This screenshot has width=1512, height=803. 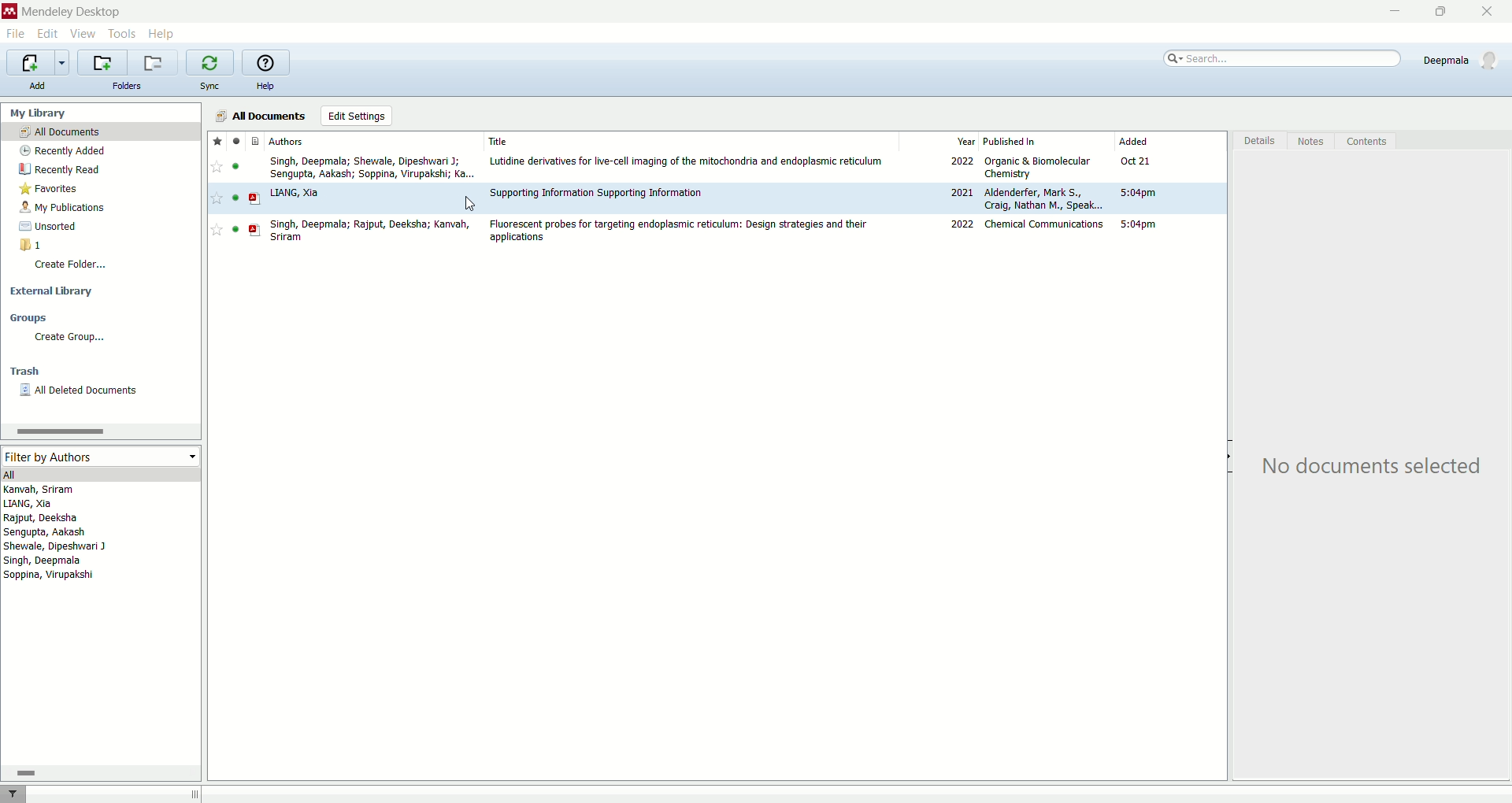 What do you see at coordinates (154, 62) in the screenshot?
I see `remove current folder` at bounding box center [154, 62].